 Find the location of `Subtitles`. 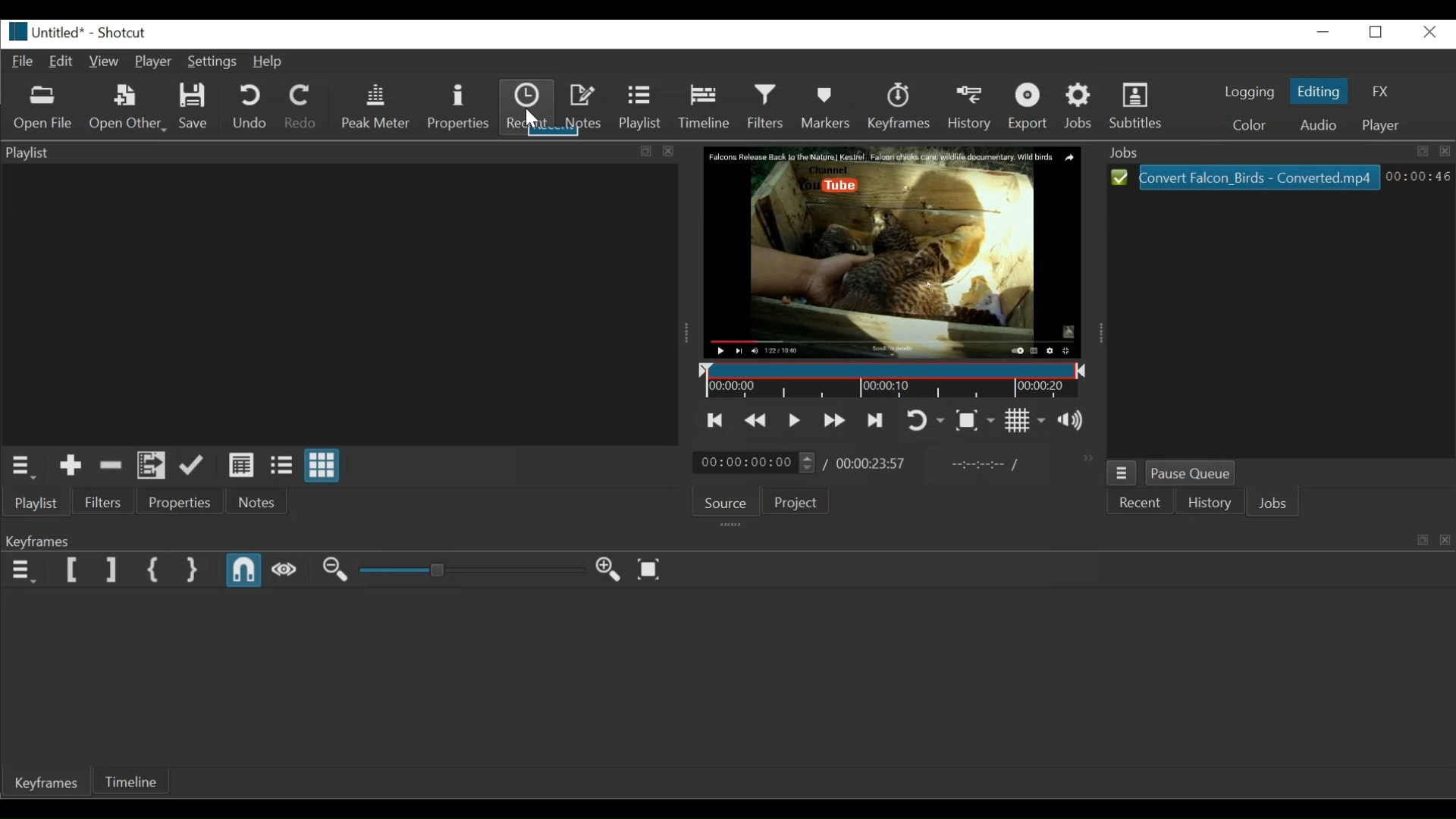

Subtitles is located at coordinates (1138, 104).